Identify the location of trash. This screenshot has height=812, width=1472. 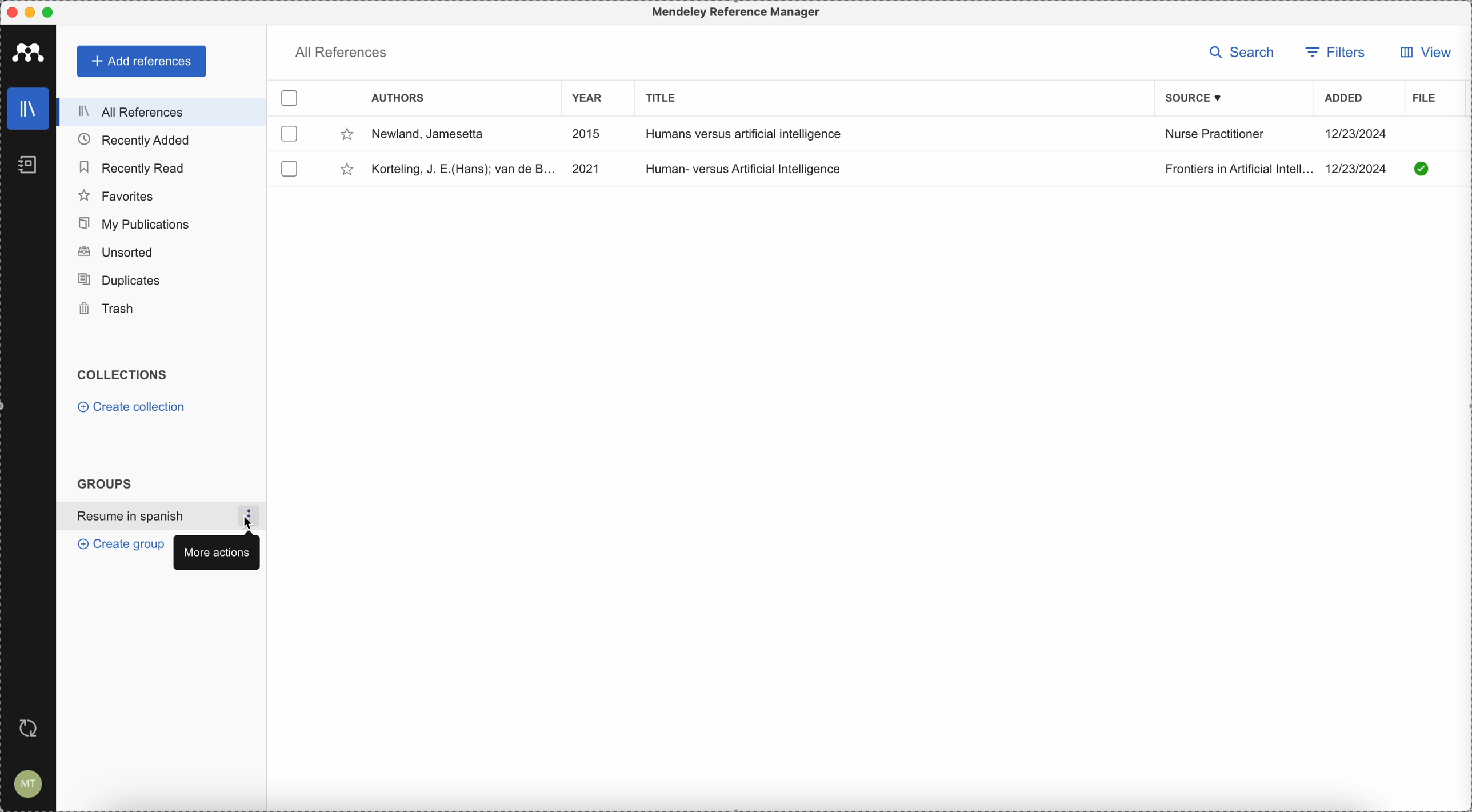
(110, 310).